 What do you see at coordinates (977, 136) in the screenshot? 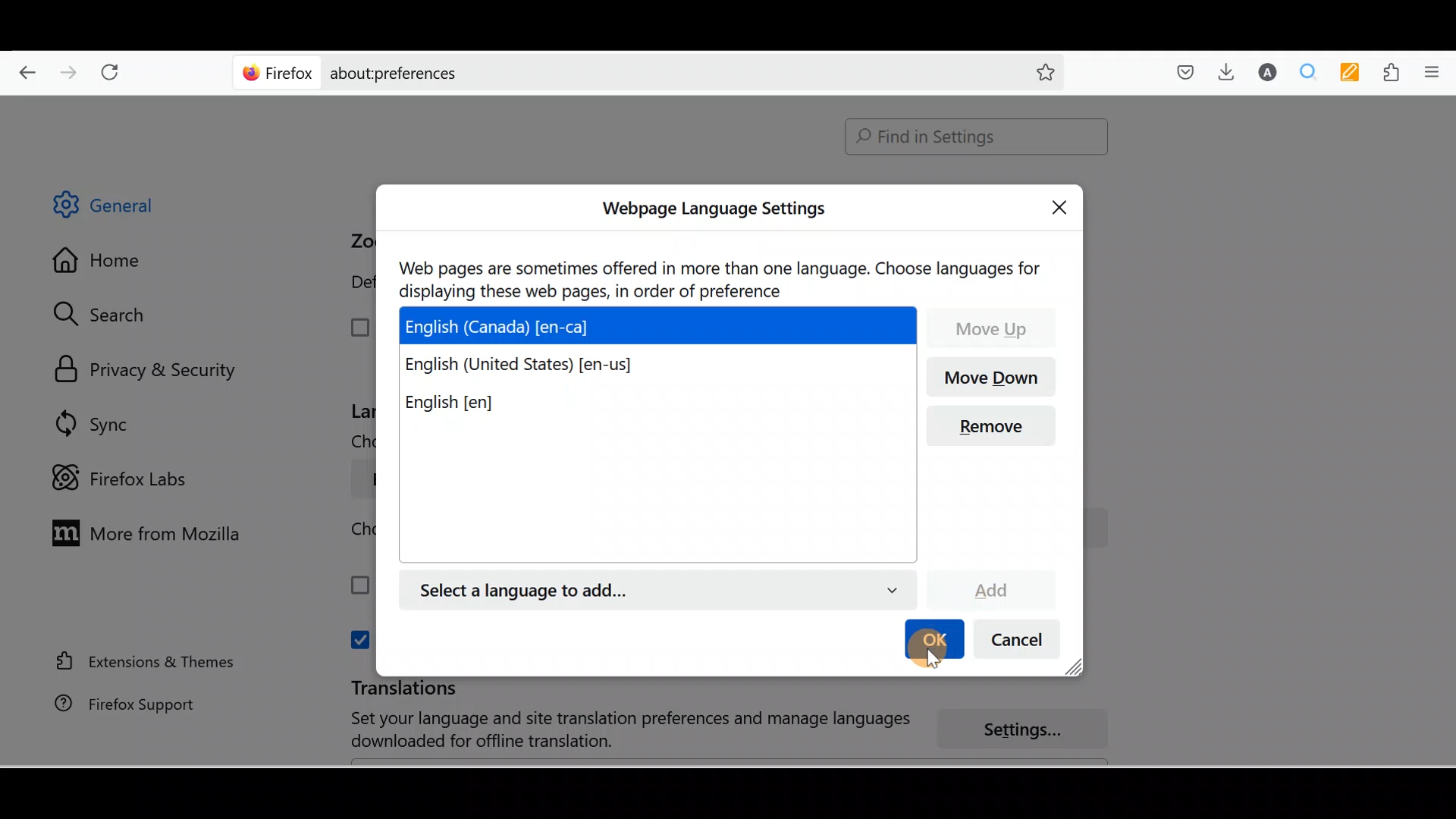
I see `Find in Settings` at bounding box center [977, 136].